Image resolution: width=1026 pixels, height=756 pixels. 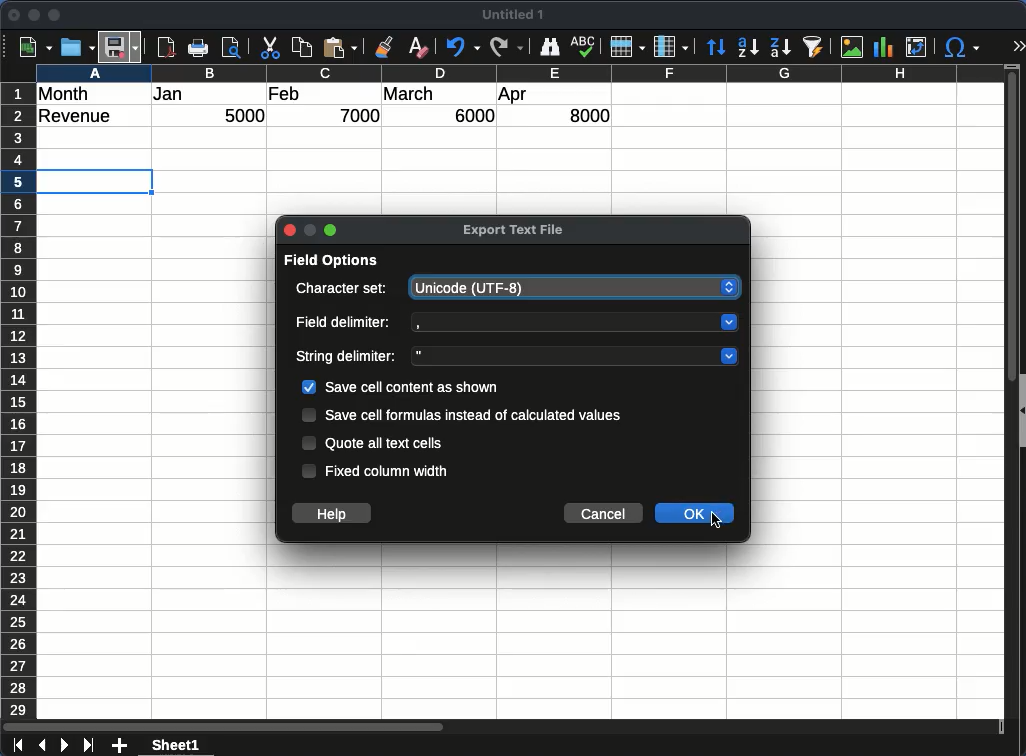 What do you see at coordinates (696, 514) in the screenshot?
I see `ok` at bounding box center [696, 514].